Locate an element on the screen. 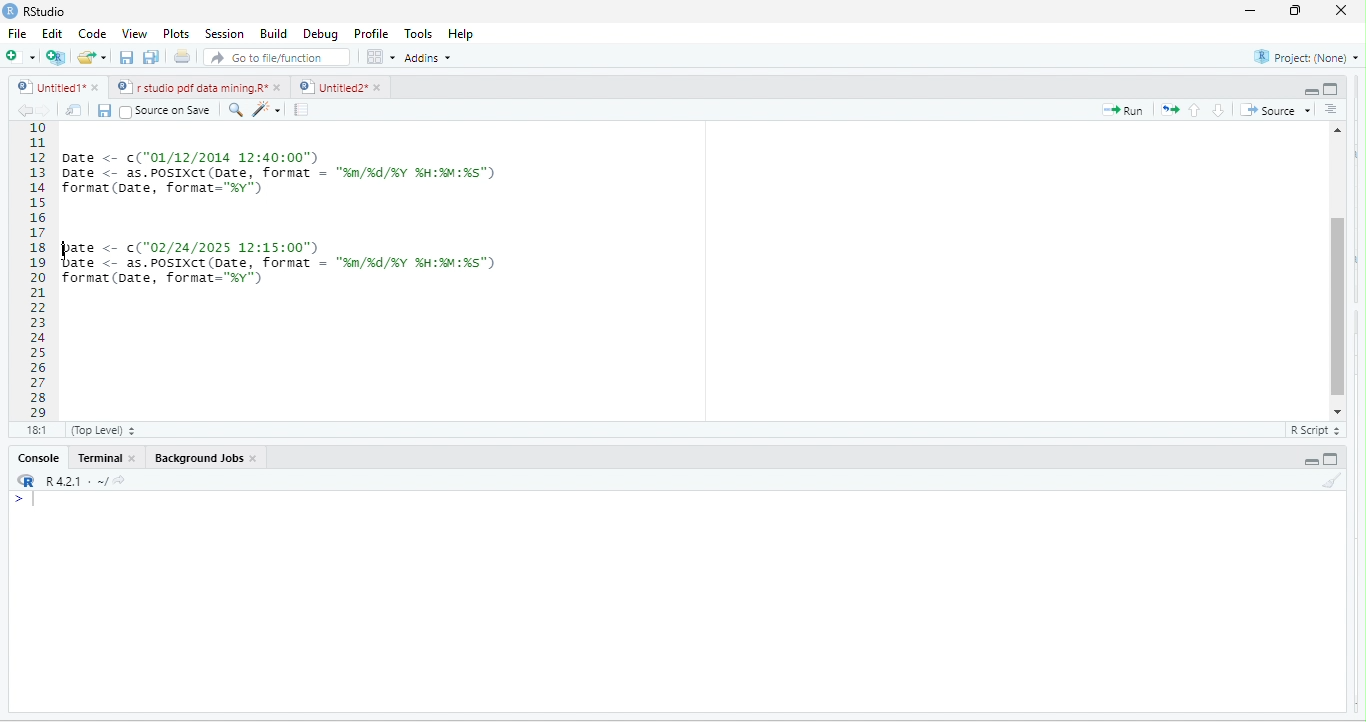 This screenshot has width=1366, height=722. save current document is located at coordinates (125, 60).